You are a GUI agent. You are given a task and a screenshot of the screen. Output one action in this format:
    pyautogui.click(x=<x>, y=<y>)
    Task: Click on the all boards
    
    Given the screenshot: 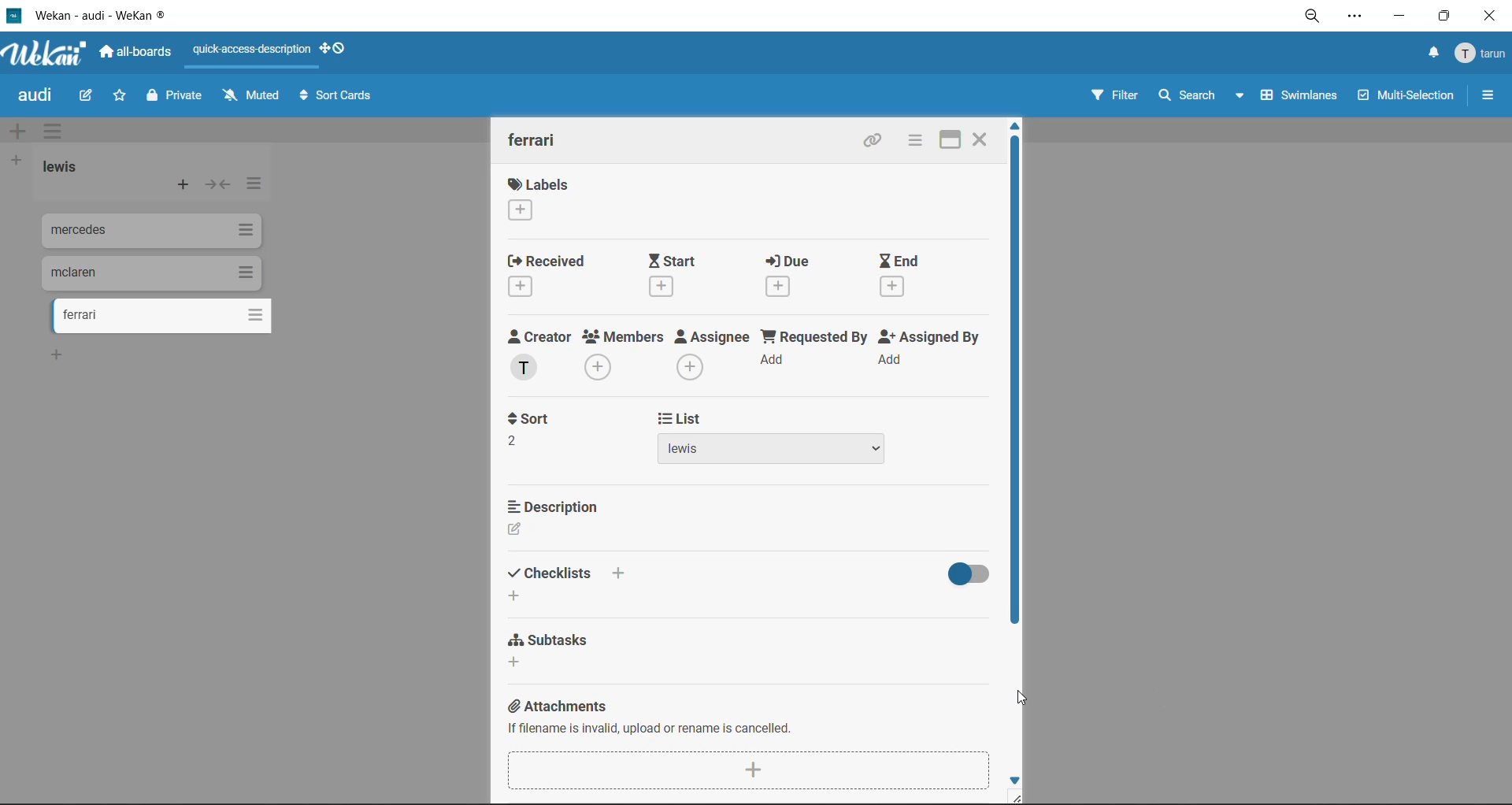 What is the action you would take?
    pyautogui.click(x=136, y=54)
    